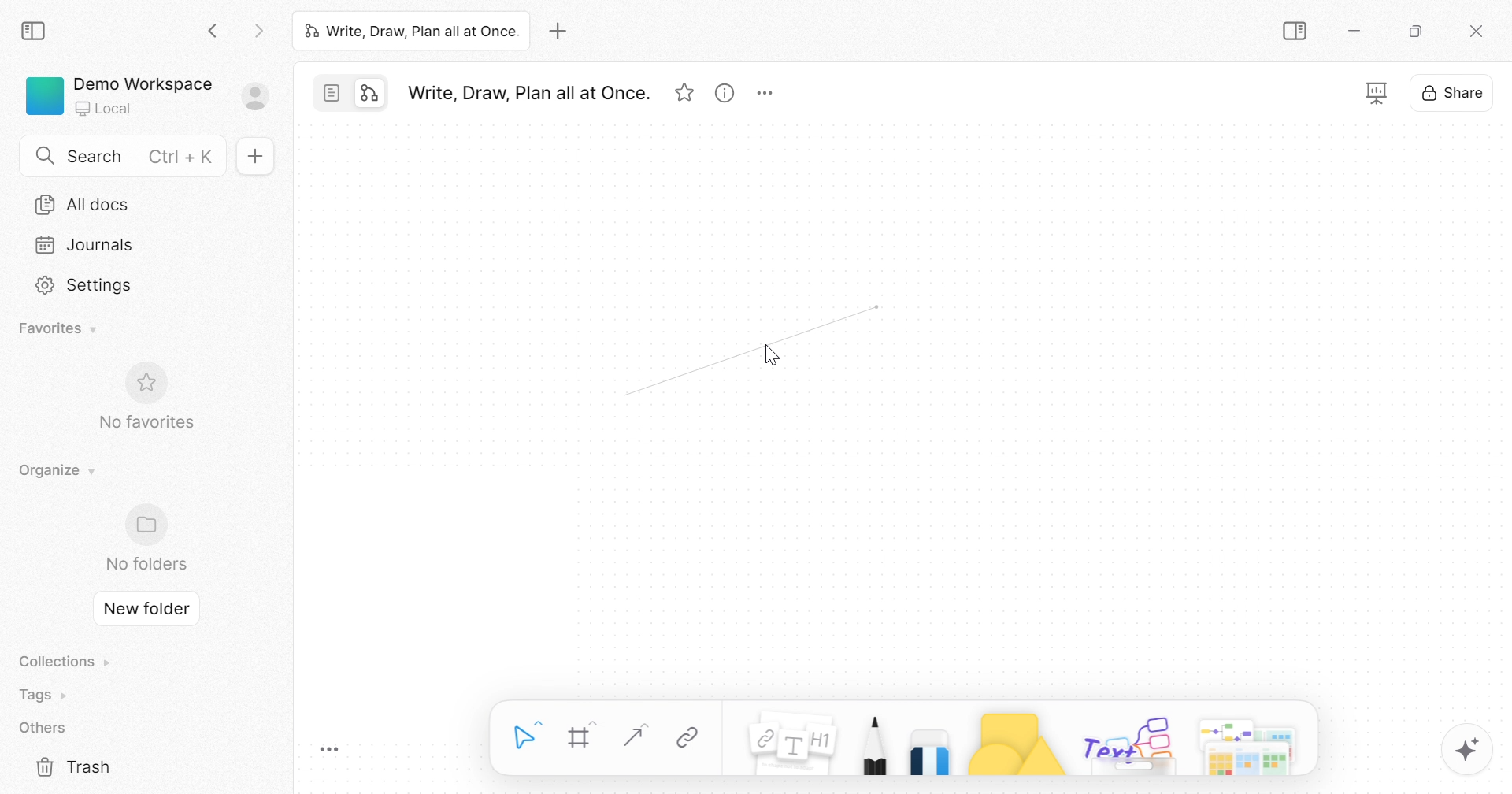 Image resolution: width=1512 pixels, height=794 pixels. Describe the element at coordinates (1453, 96) in the screenshot. I see `Share` at that location.